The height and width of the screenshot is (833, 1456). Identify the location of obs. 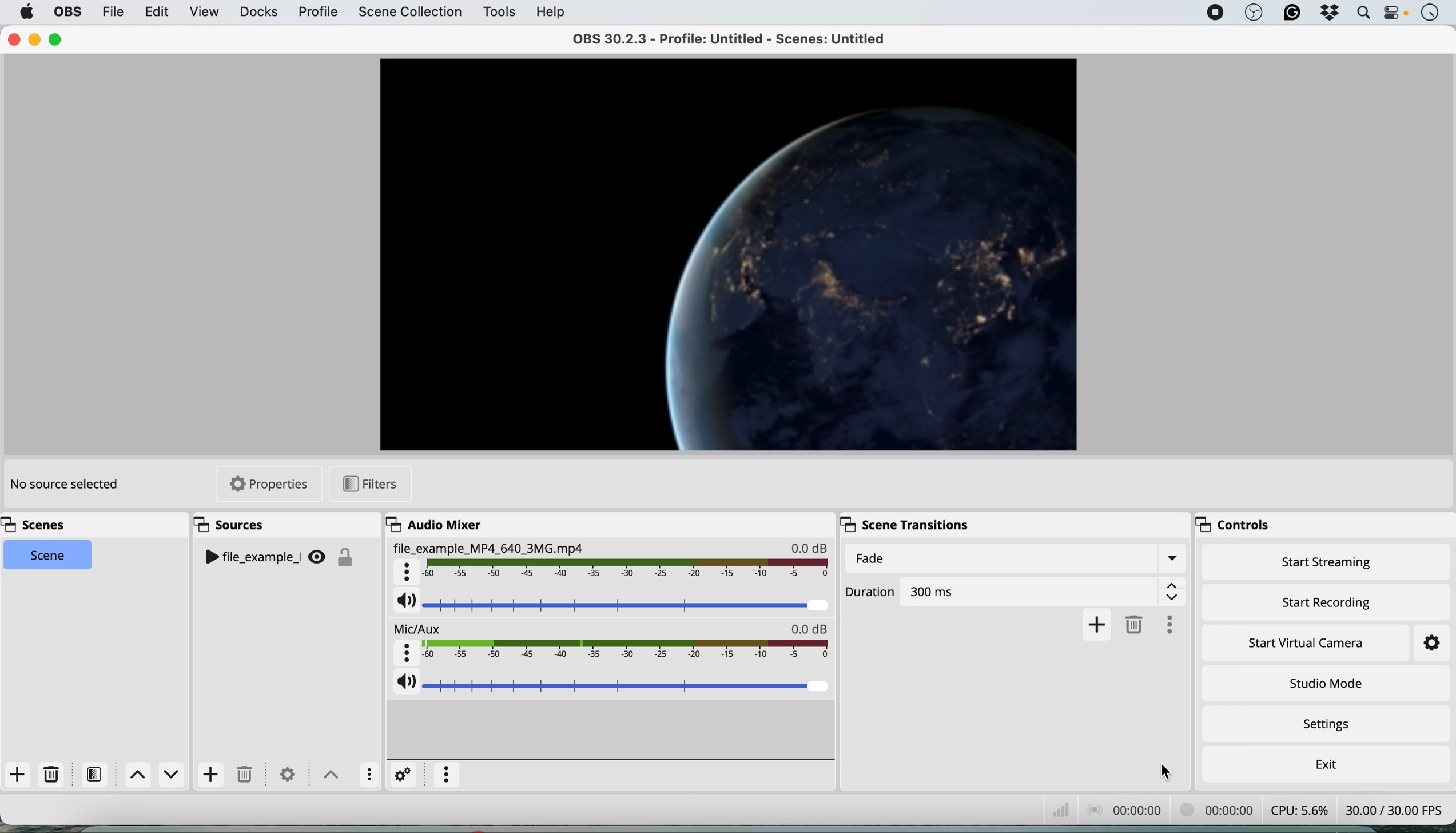
(66, 12).